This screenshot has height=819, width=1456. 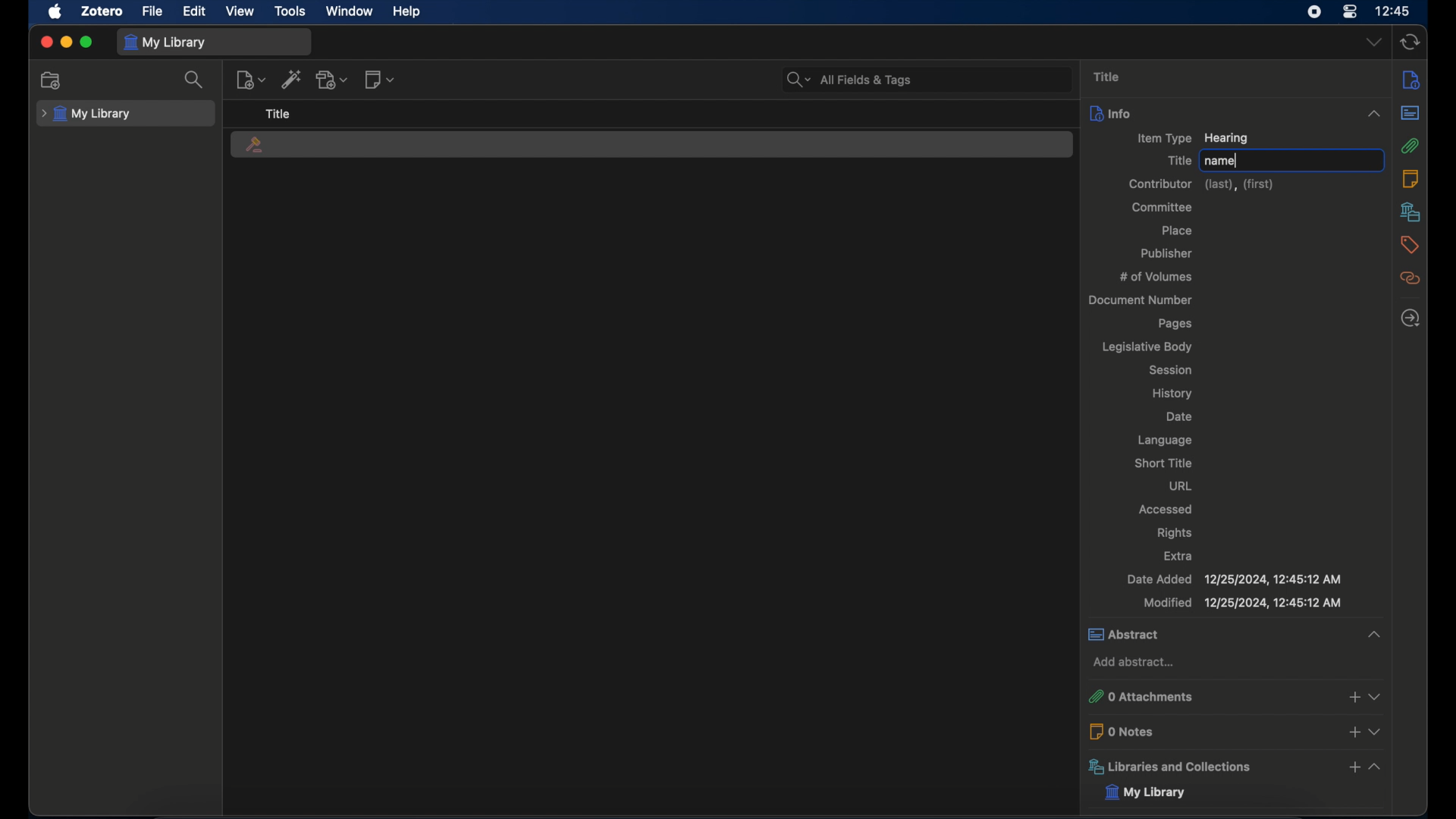 I want to click on date, so click(x=1180, y=416).